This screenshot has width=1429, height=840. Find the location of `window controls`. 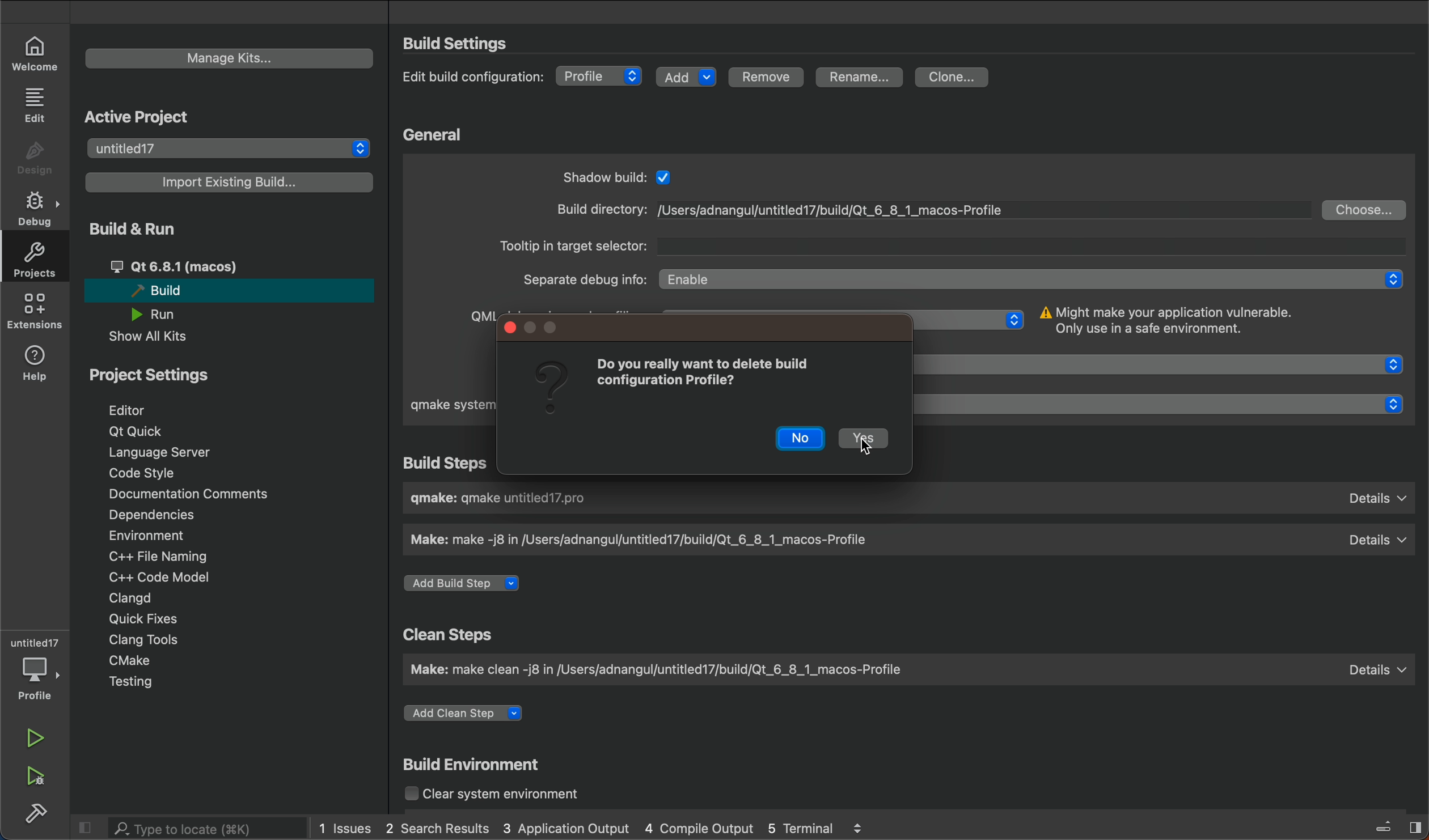

window controls is located at coordinates (543, 328).